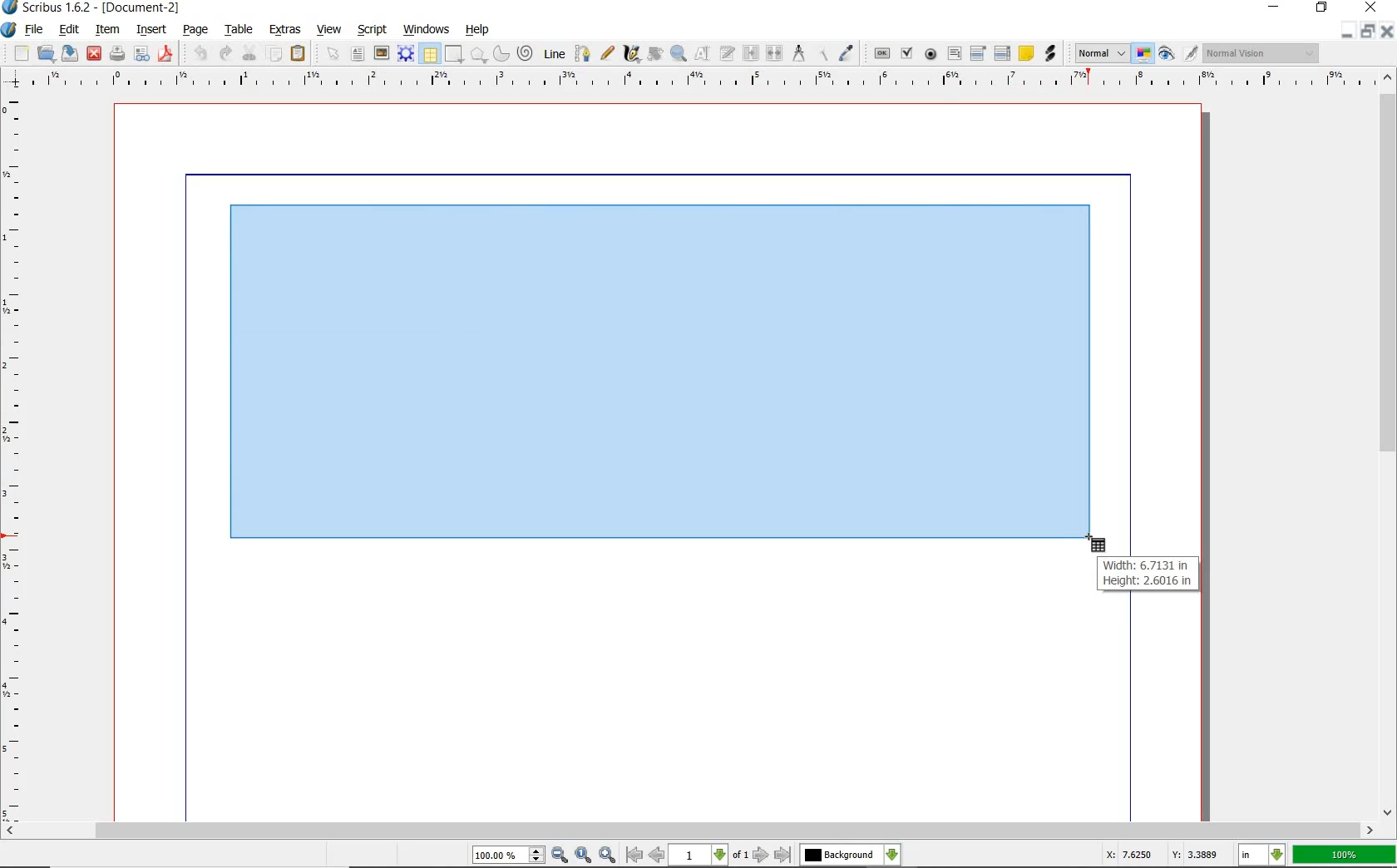 The image size is (1397, 868). I want to click on 100%, so click(1345, 853).